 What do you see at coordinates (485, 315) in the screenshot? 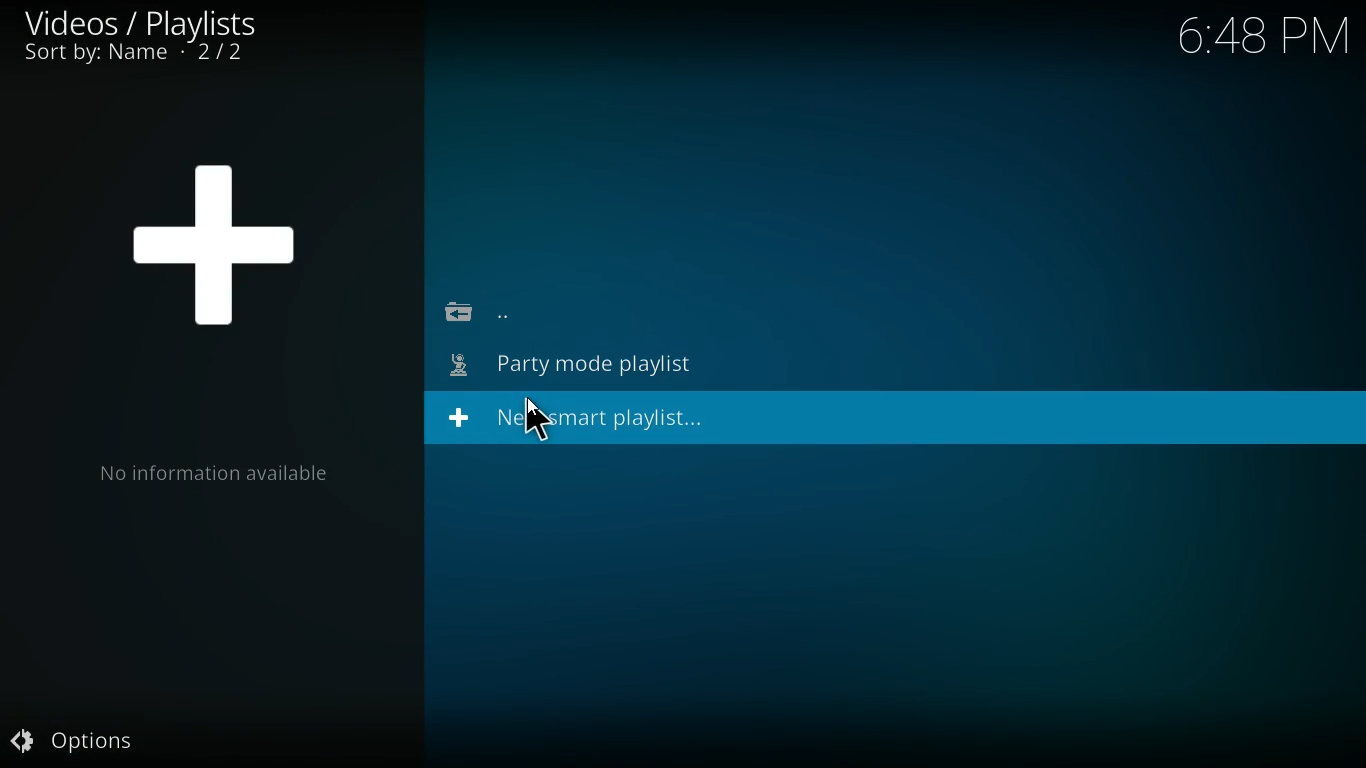
I see `back` at bounding box center [485, 315].